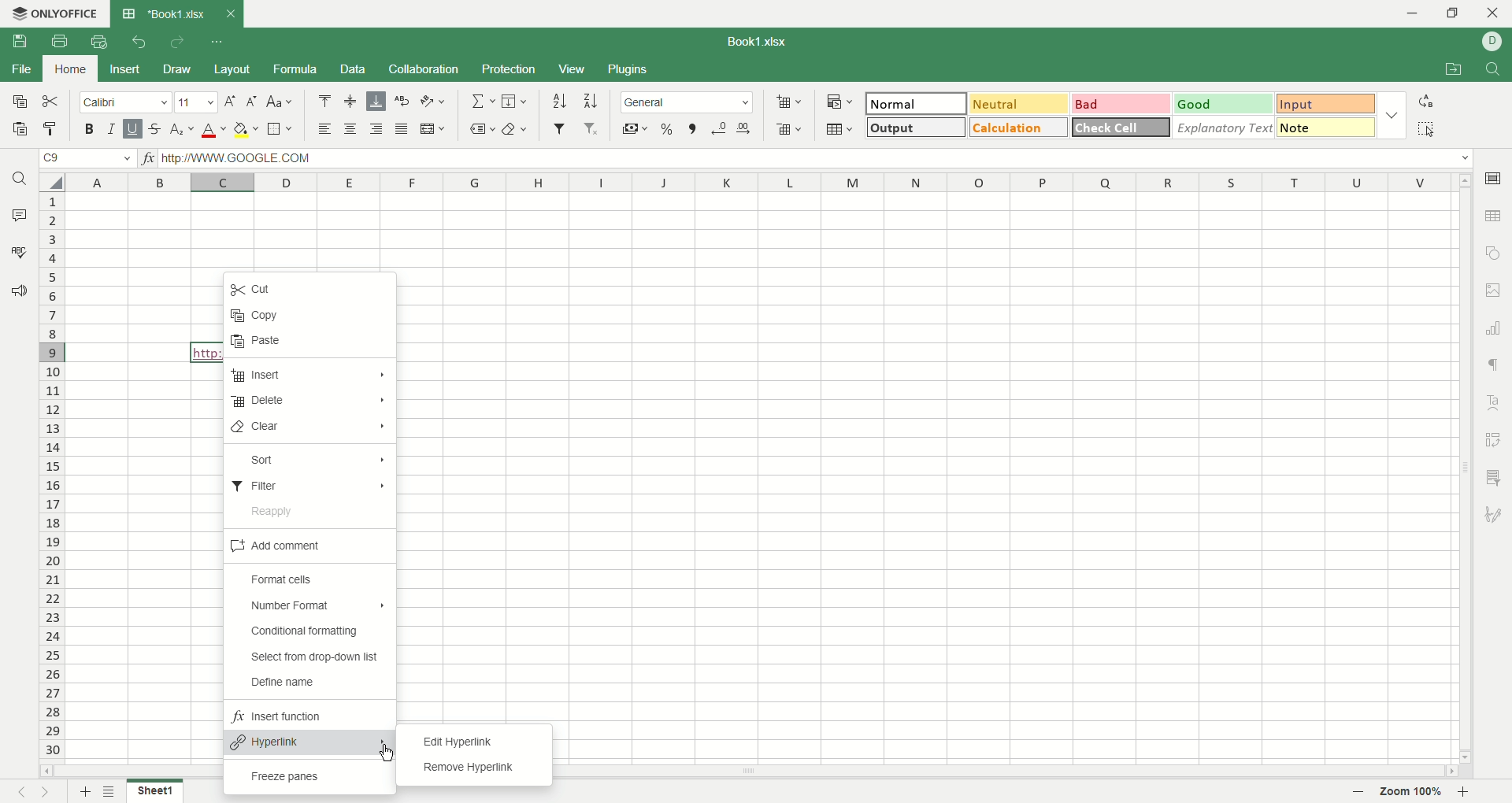 The width and height of the screenshot is (1512, 803). What do you see at coordinates (1494, 327) in the screenshot?
I see `chart settings` at bounding box center [1494, 327].